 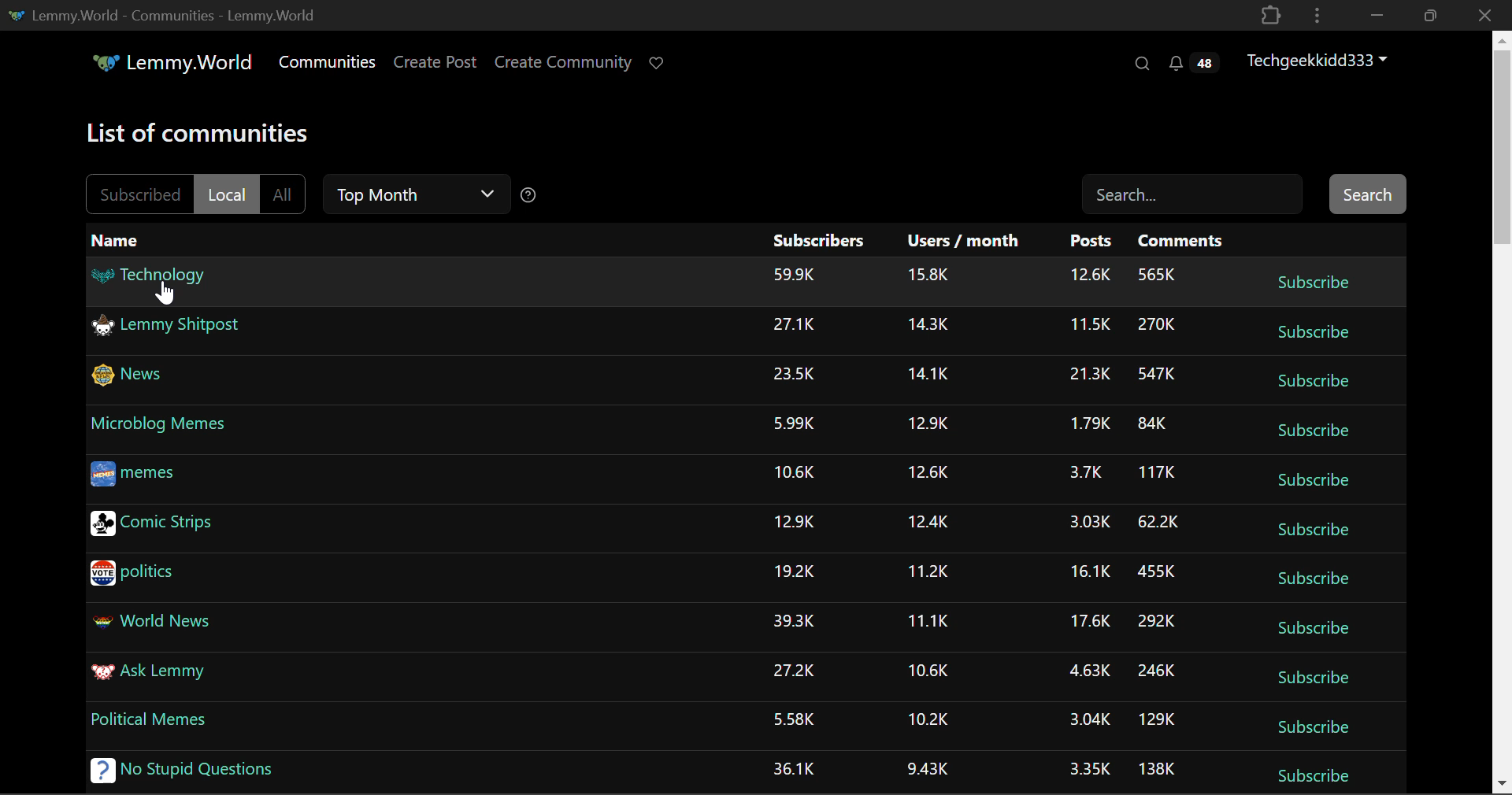 What do you see at coordinates (136, 194) in the screenshot?
I see `Subscribed` at bounding box center [136, 194].